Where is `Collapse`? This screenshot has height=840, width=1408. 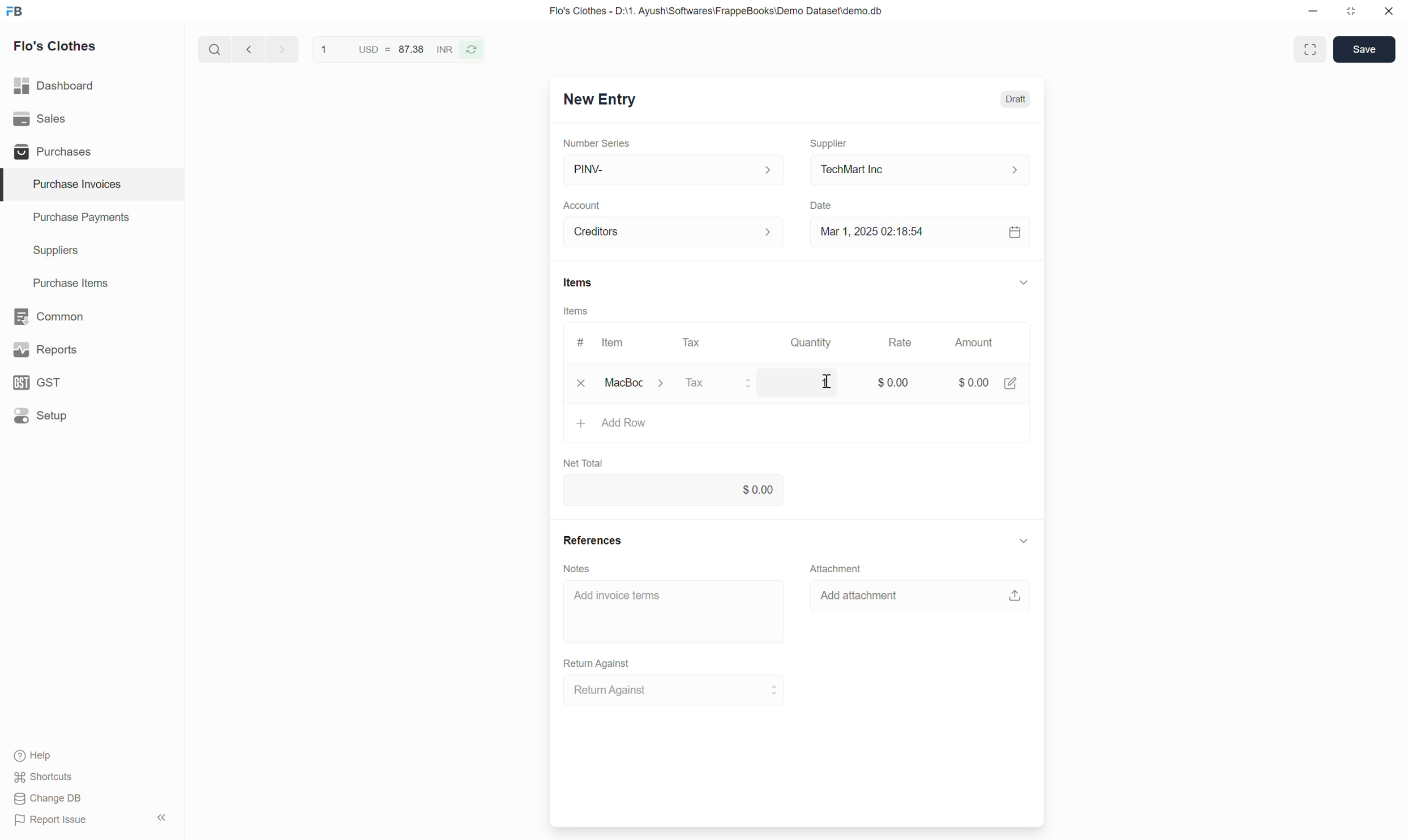 Collapse is located at coordinates (161, 817).